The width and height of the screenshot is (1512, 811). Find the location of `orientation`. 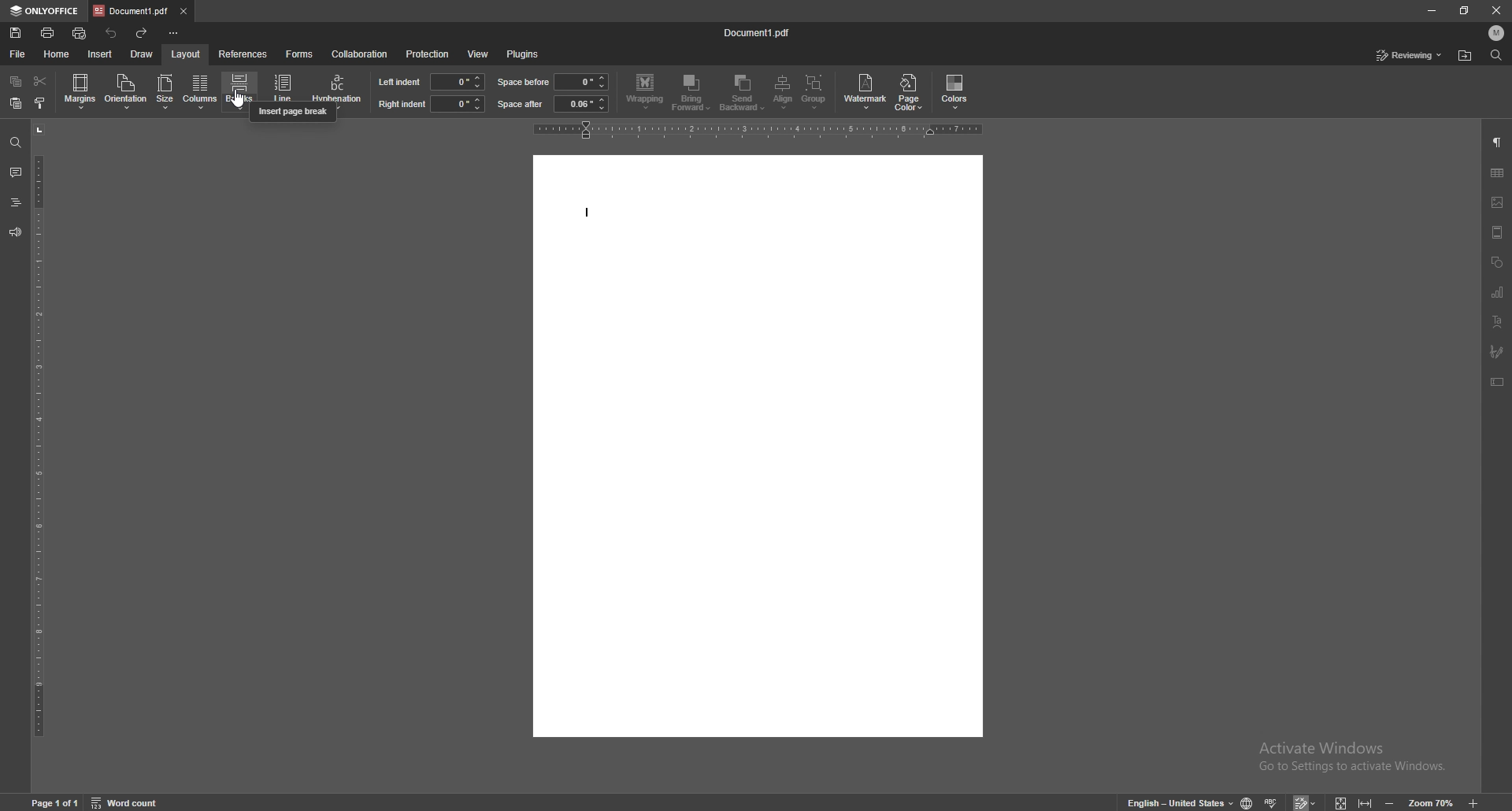

orientation is located at coordinates (127, 91).